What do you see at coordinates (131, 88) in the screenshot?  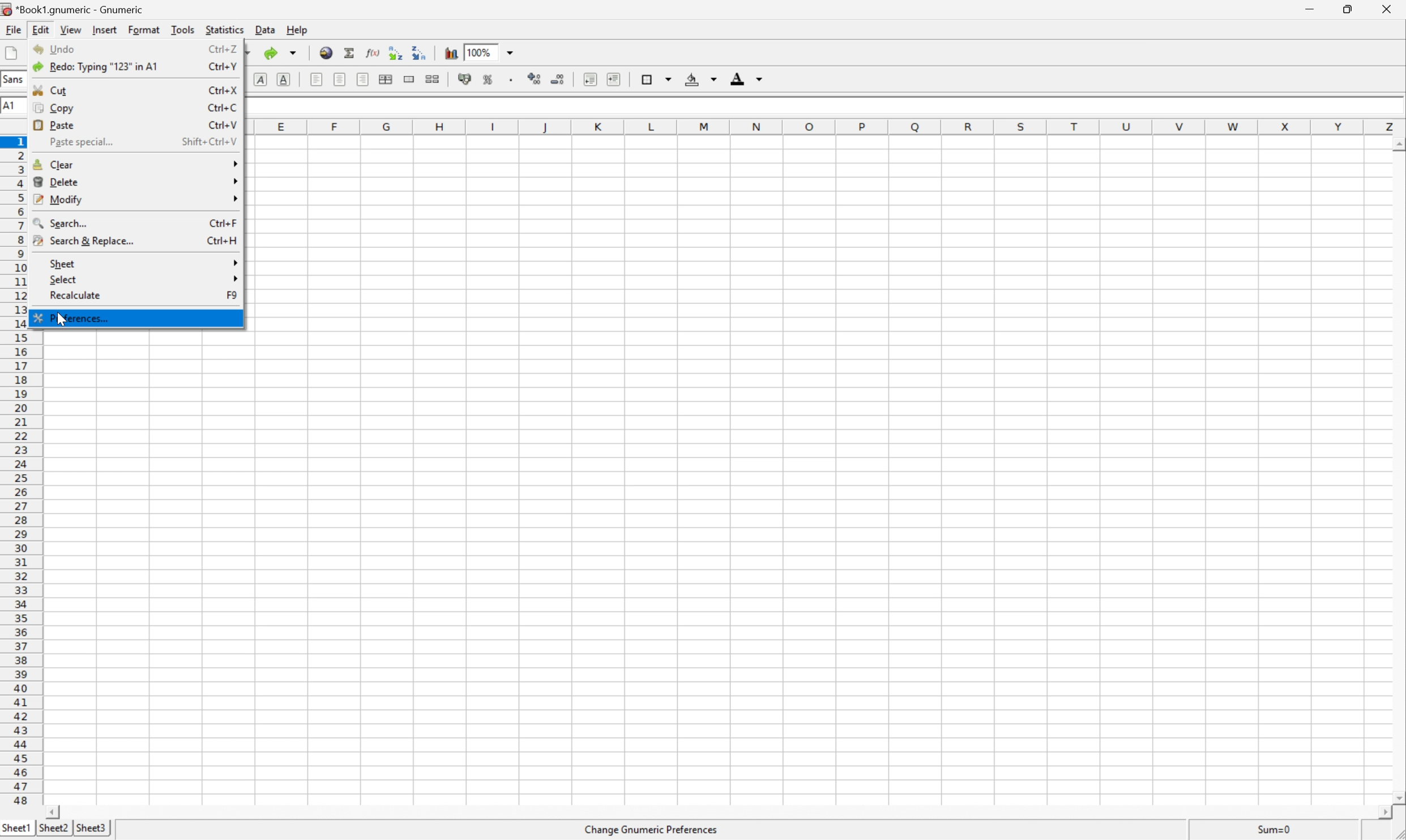 I see `cut ctrl+x` at bounding box center [131, 88].